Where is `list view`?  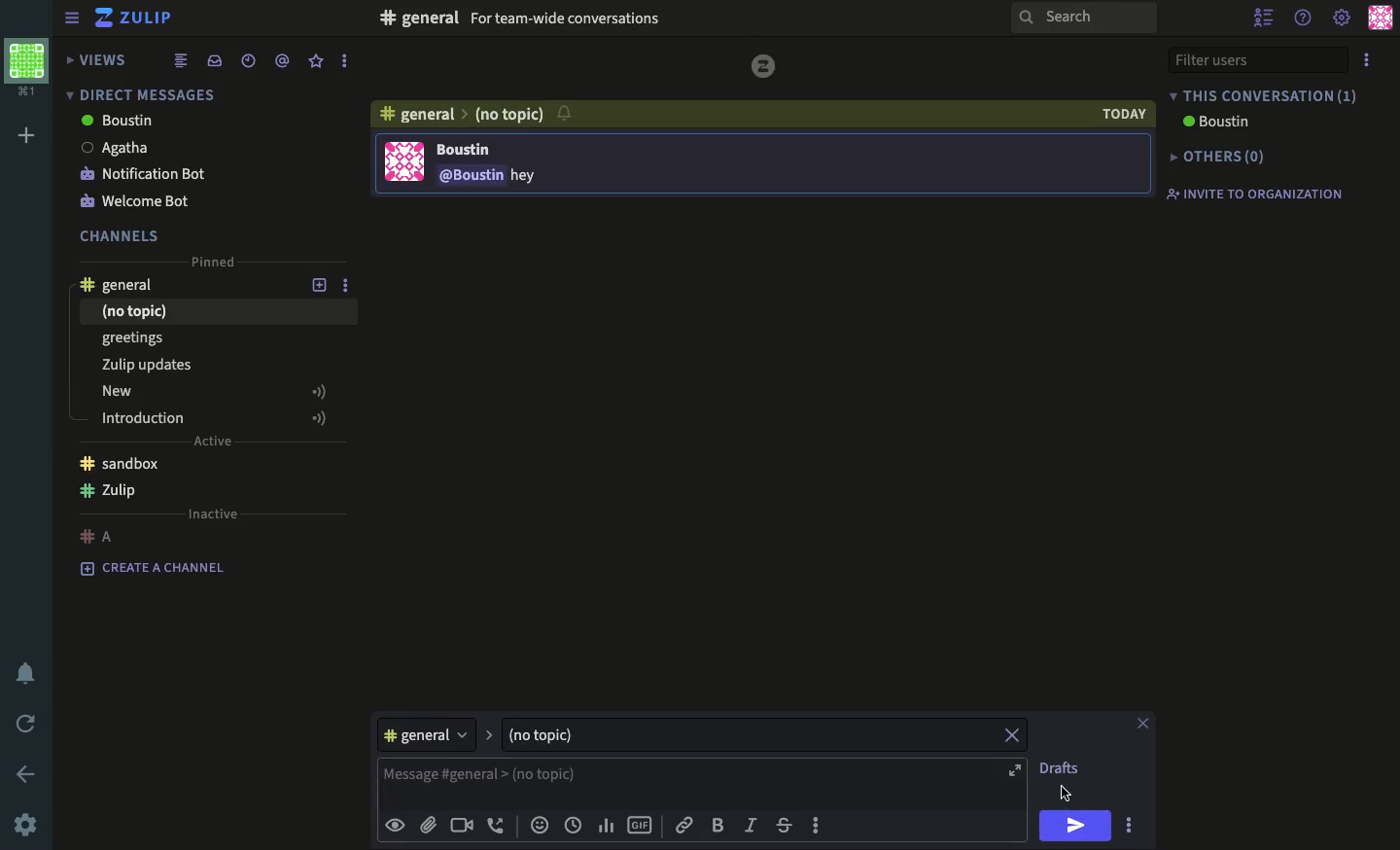
list view is located at coordinates (180, 59).